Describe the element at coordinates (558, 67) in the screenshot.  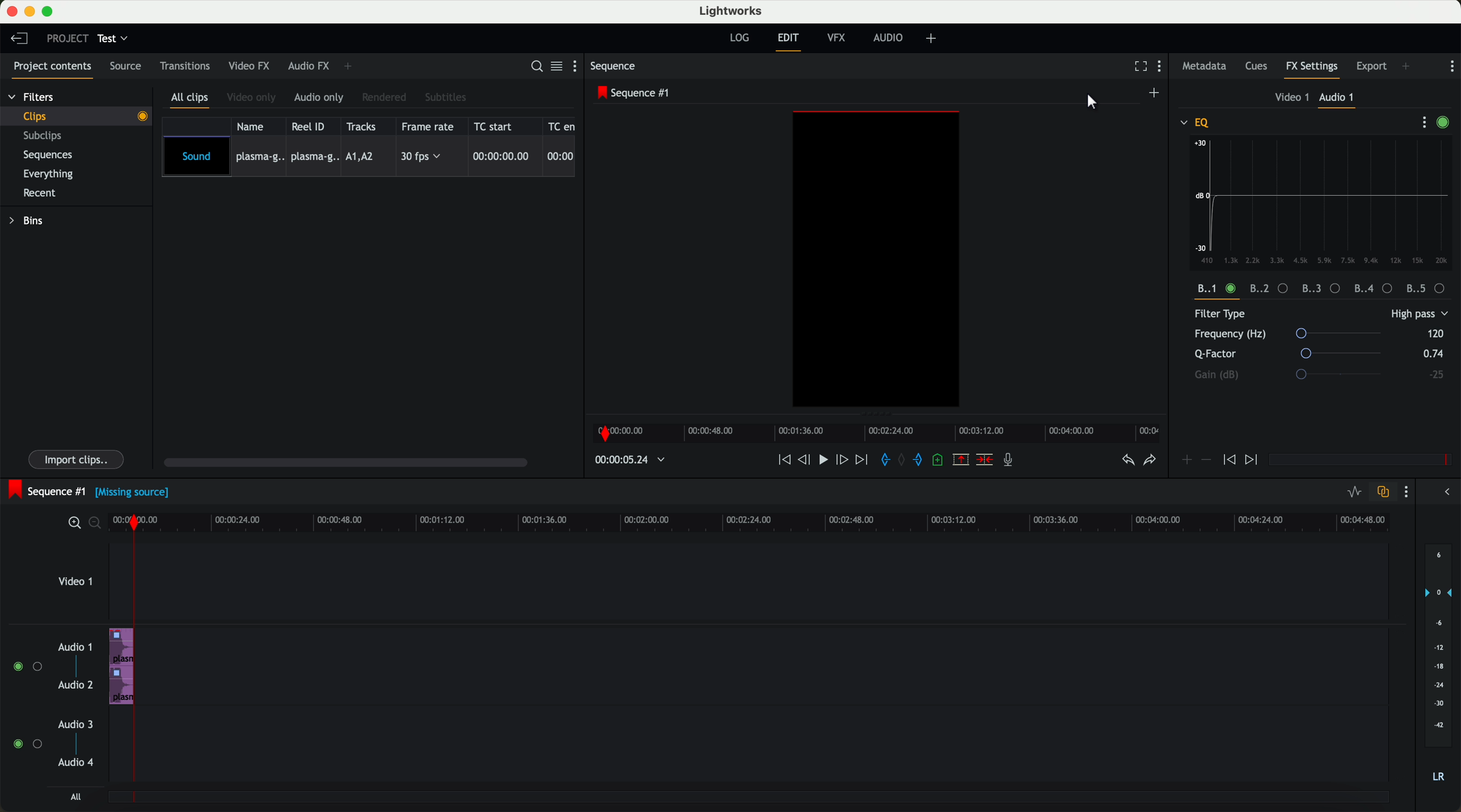
I see `toggle between list and toggle view` at that location.